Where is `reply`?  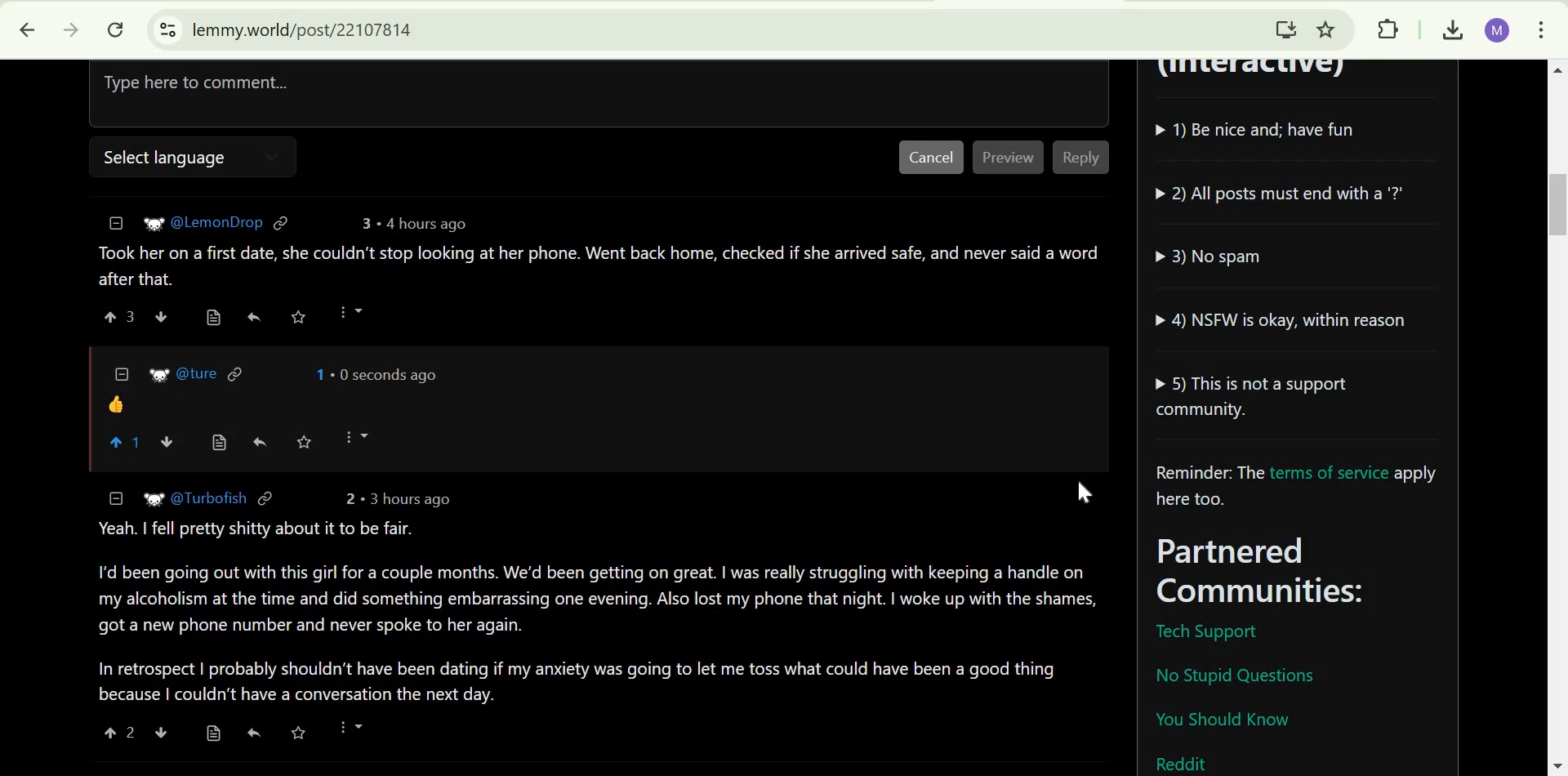
reply is located at coordinates (252, 317).